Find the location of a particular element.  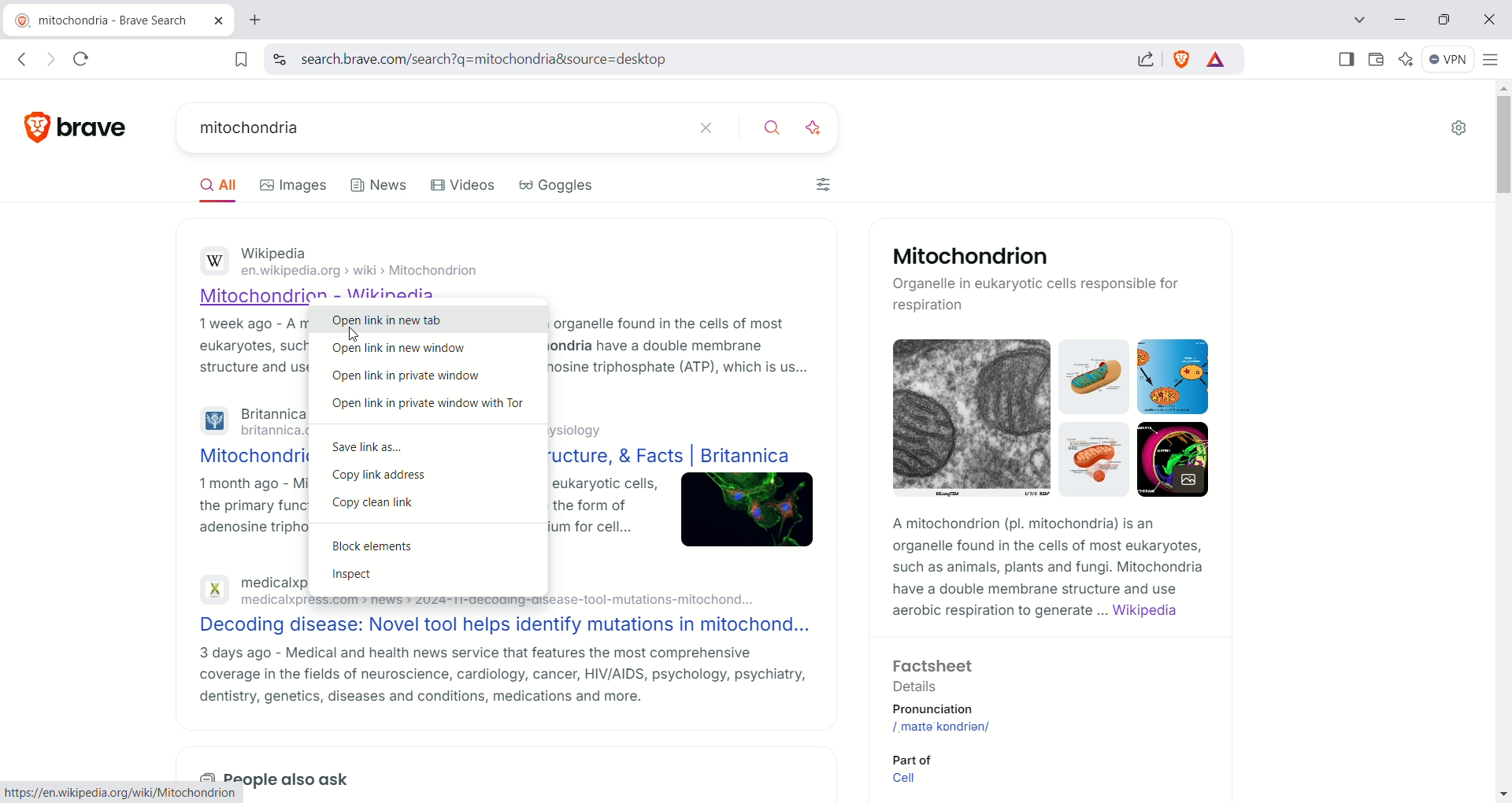

go forward is located at coordinates (50, 56).